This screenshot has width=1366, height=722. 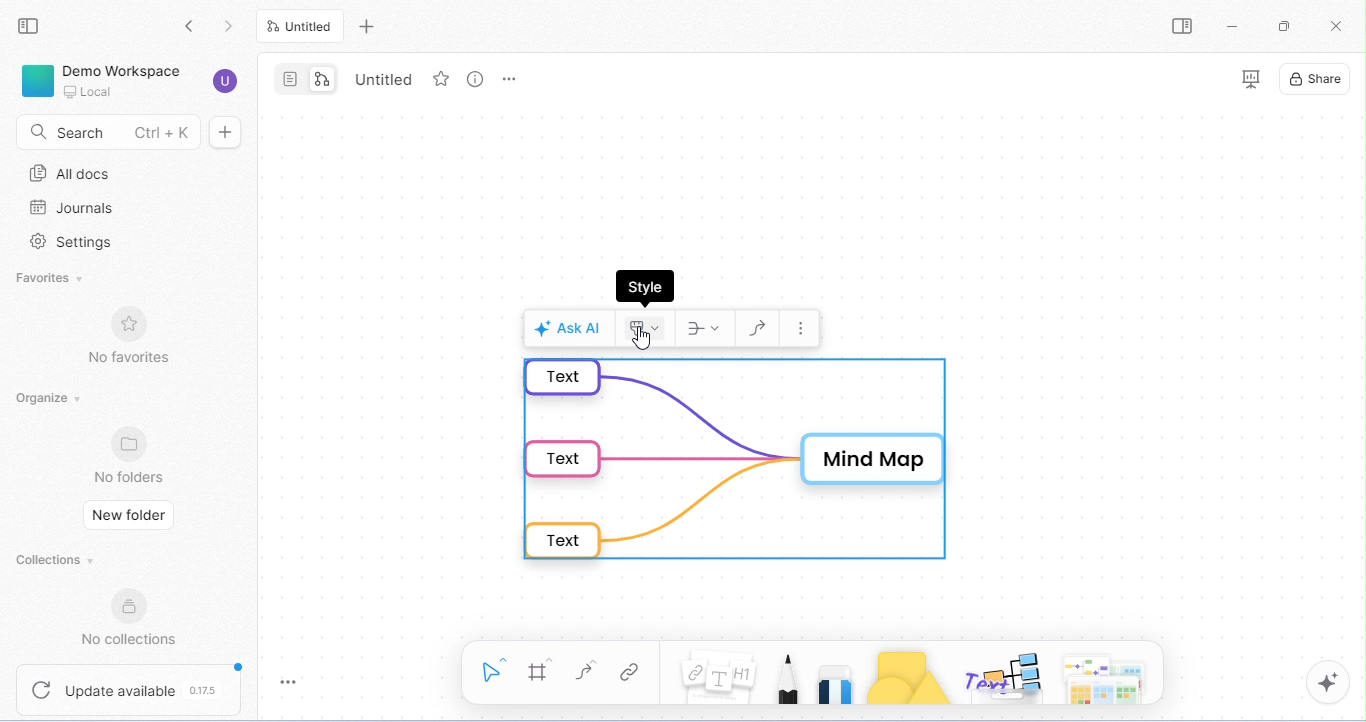 What do you see at coordinates (76, 171) in the screenshot?
I see `all docs` at bounding box center [76, 171].